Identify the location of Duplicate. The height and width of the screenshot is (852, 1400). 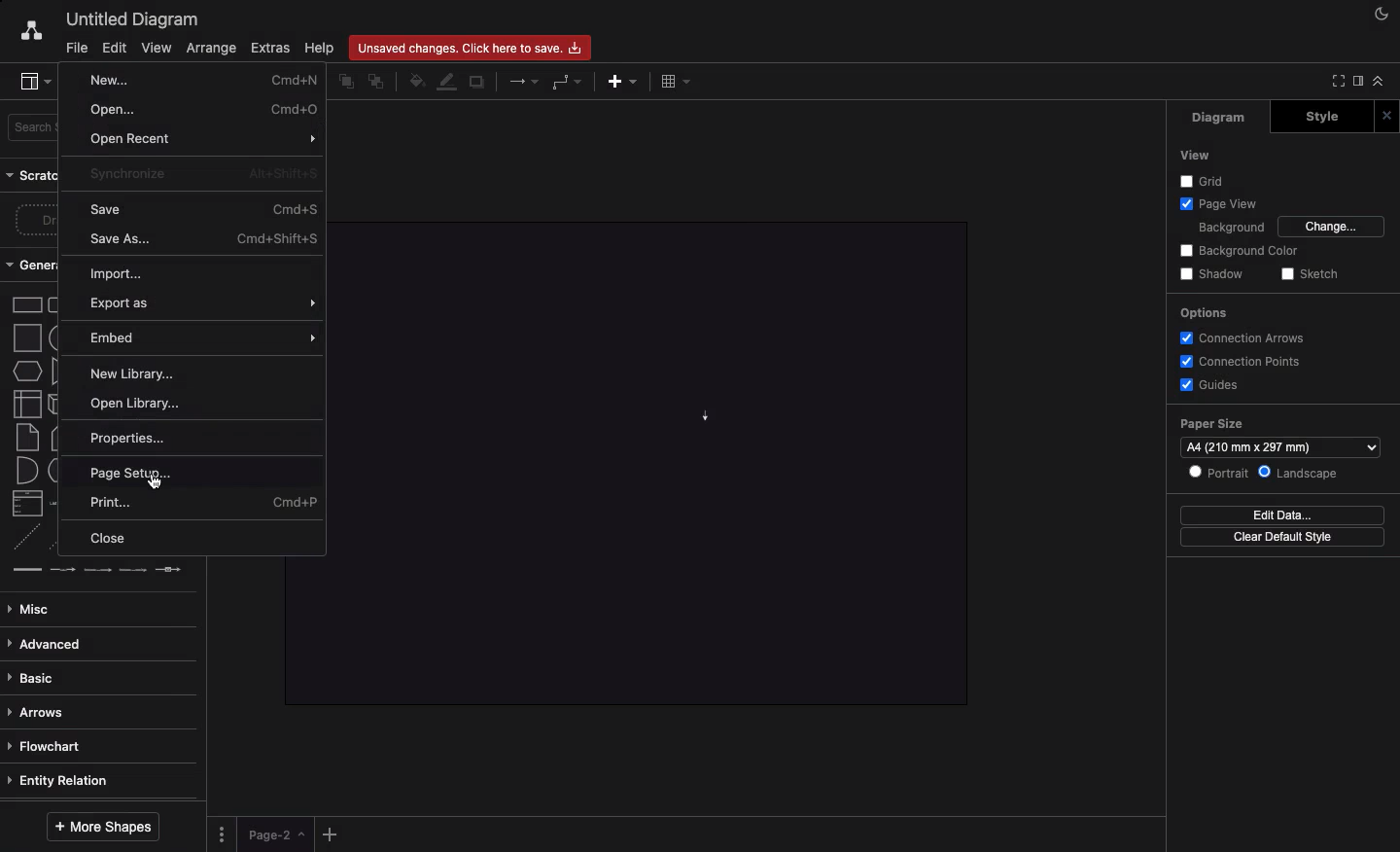
(476, 84).